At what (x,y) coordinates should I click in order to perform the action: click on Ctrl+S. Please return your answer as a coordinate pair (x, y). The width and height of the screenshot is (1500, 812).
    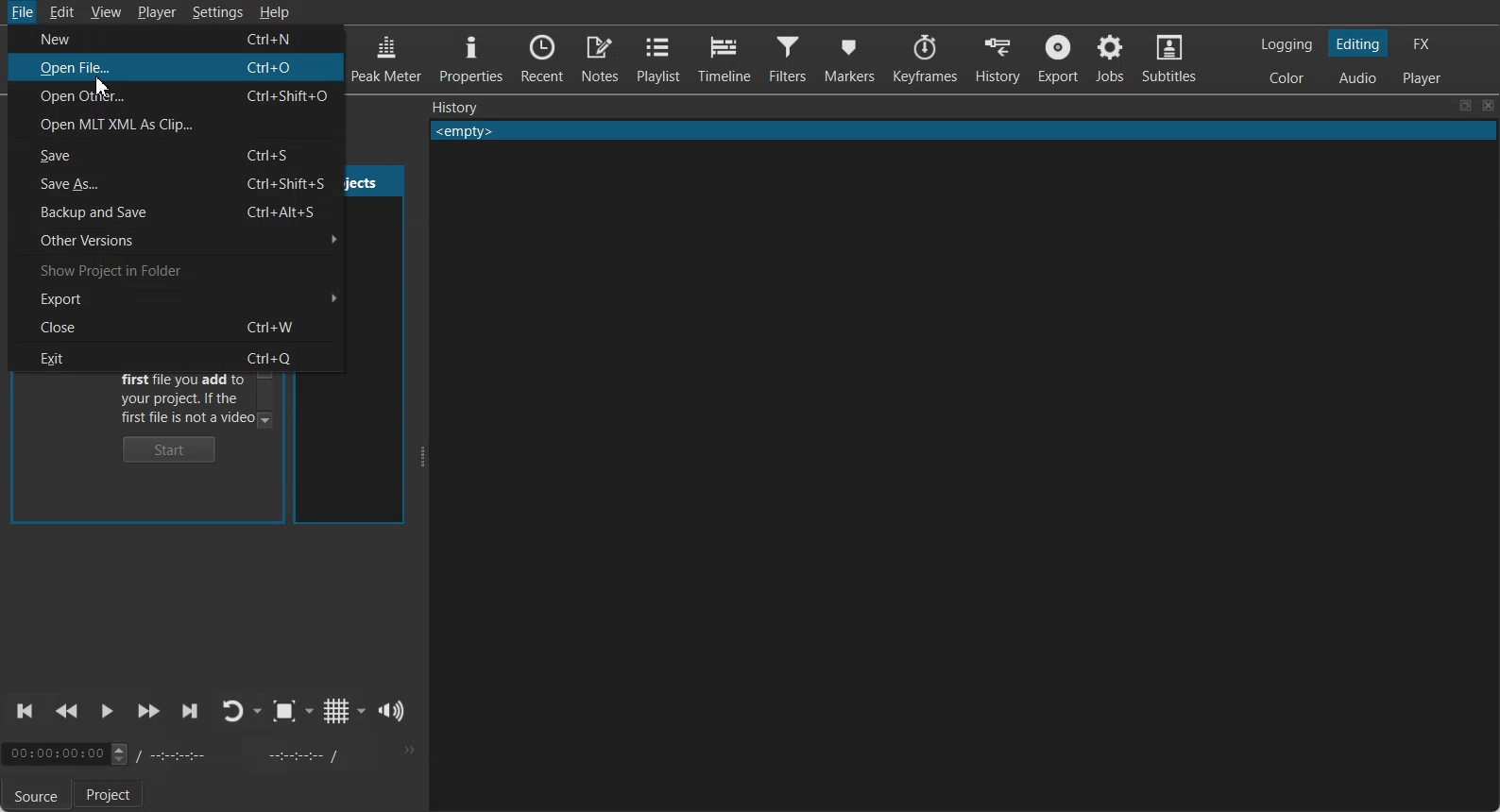
    Looking at the image, I should click on (275, 156).